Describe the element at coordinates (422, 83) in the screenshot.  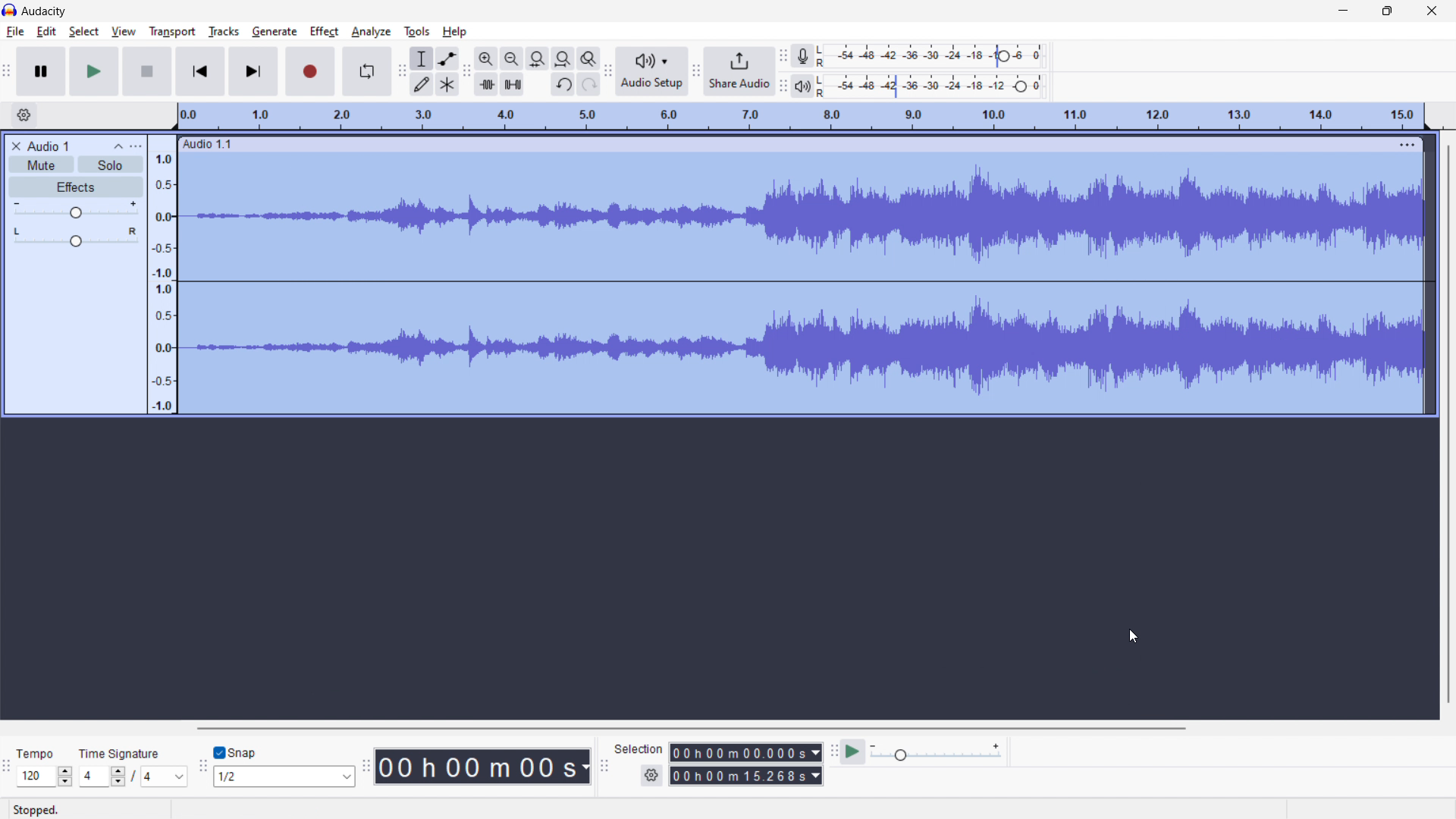
I see `draw tool` at that location.